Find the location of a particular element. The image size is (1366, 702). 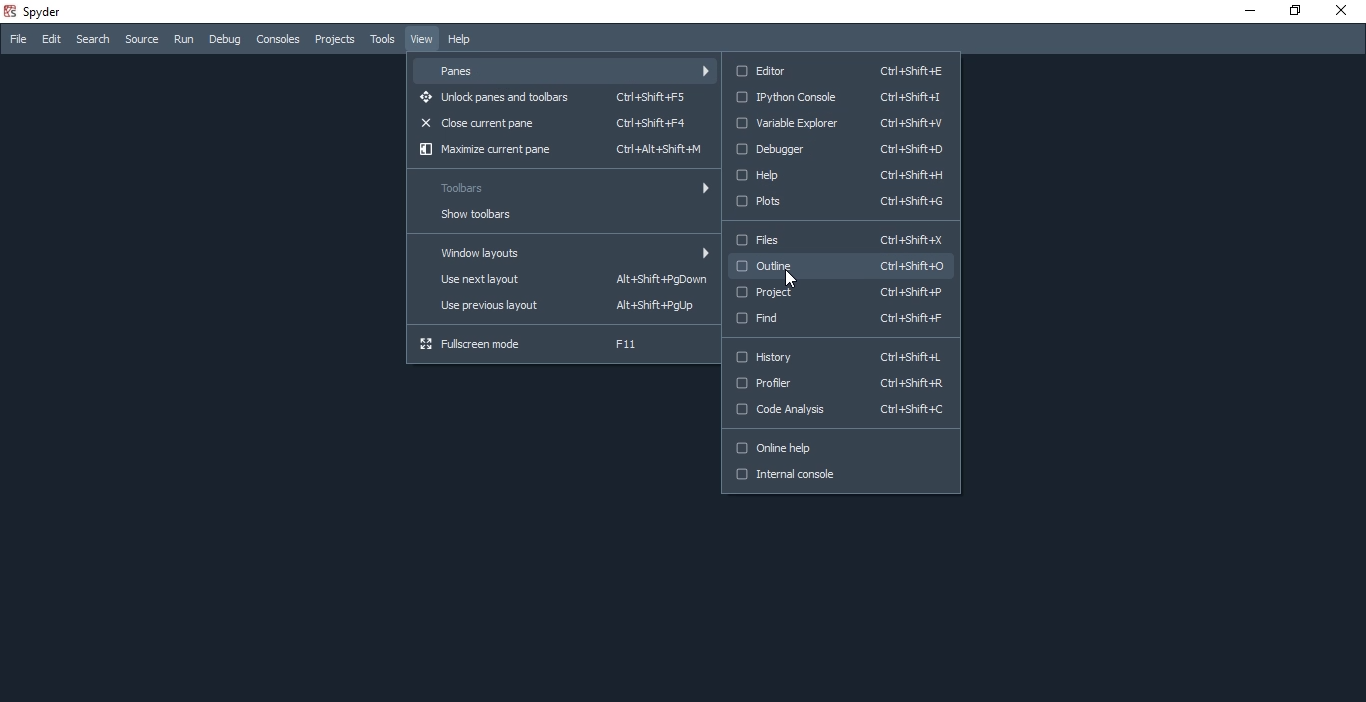

History is located at coordinates (839, 356).